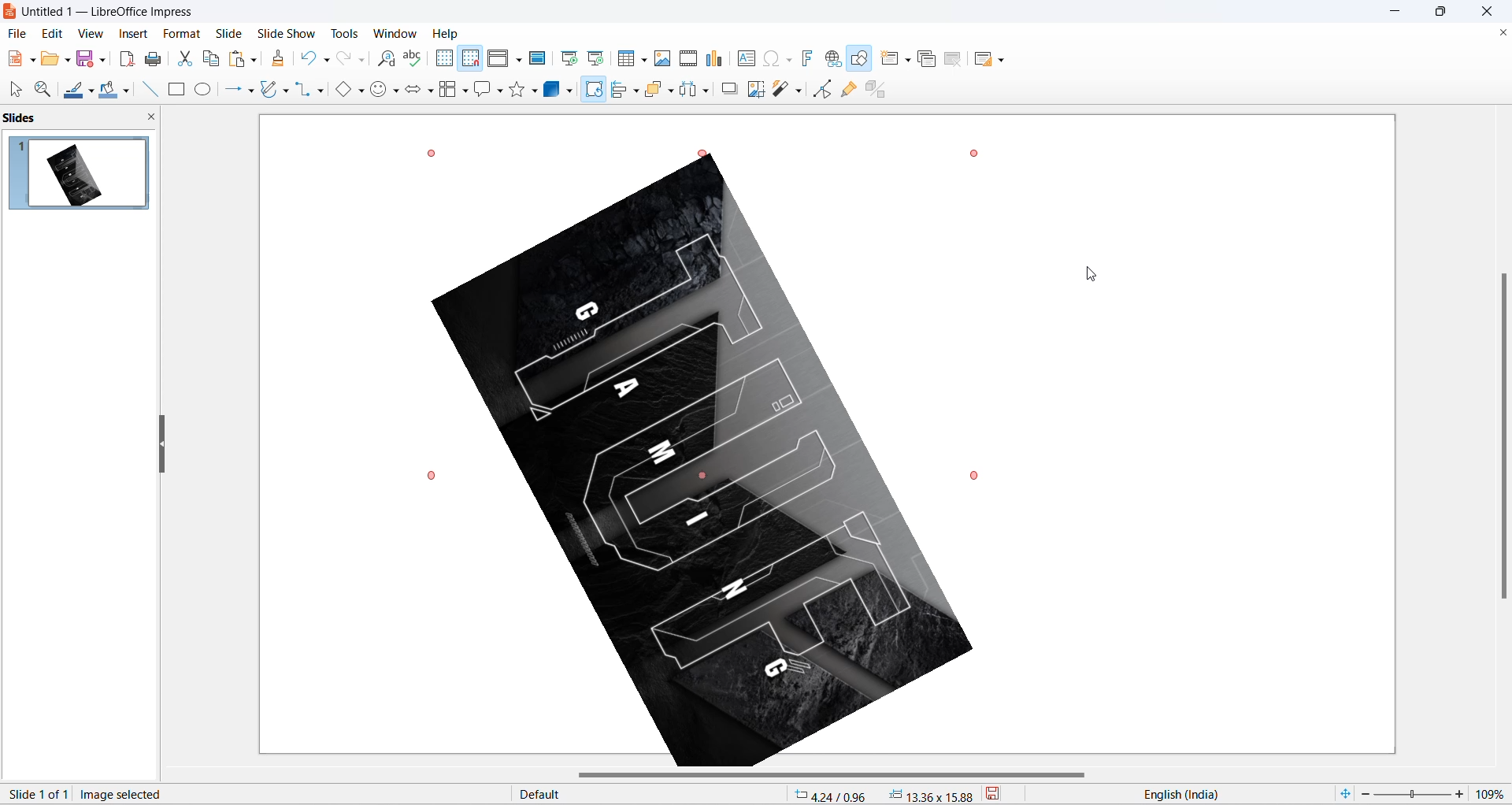 This screenshot has width=1512, height=805. I want to click on draw shapes , so click(861, 59).